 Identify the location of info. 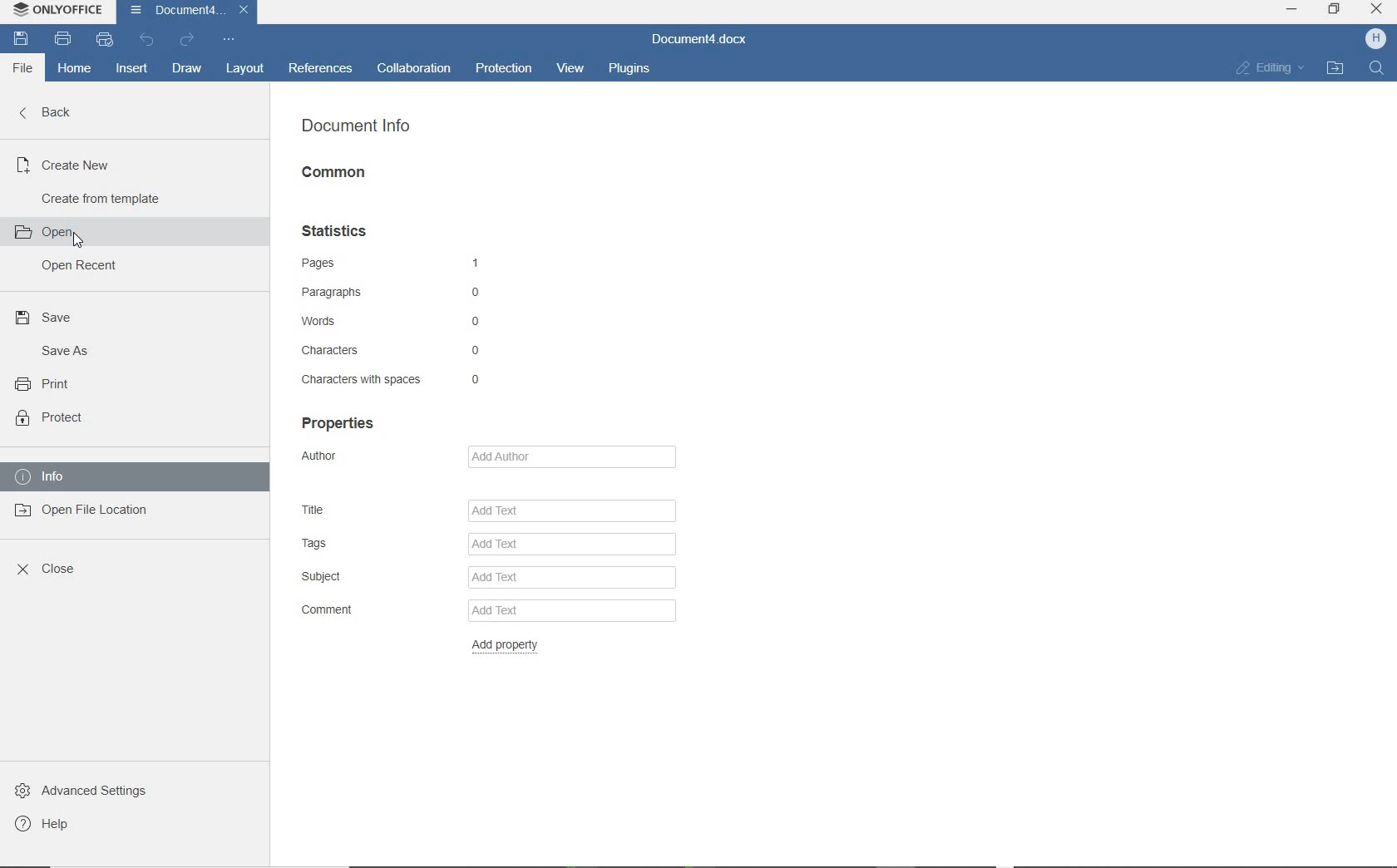
(42, 476).